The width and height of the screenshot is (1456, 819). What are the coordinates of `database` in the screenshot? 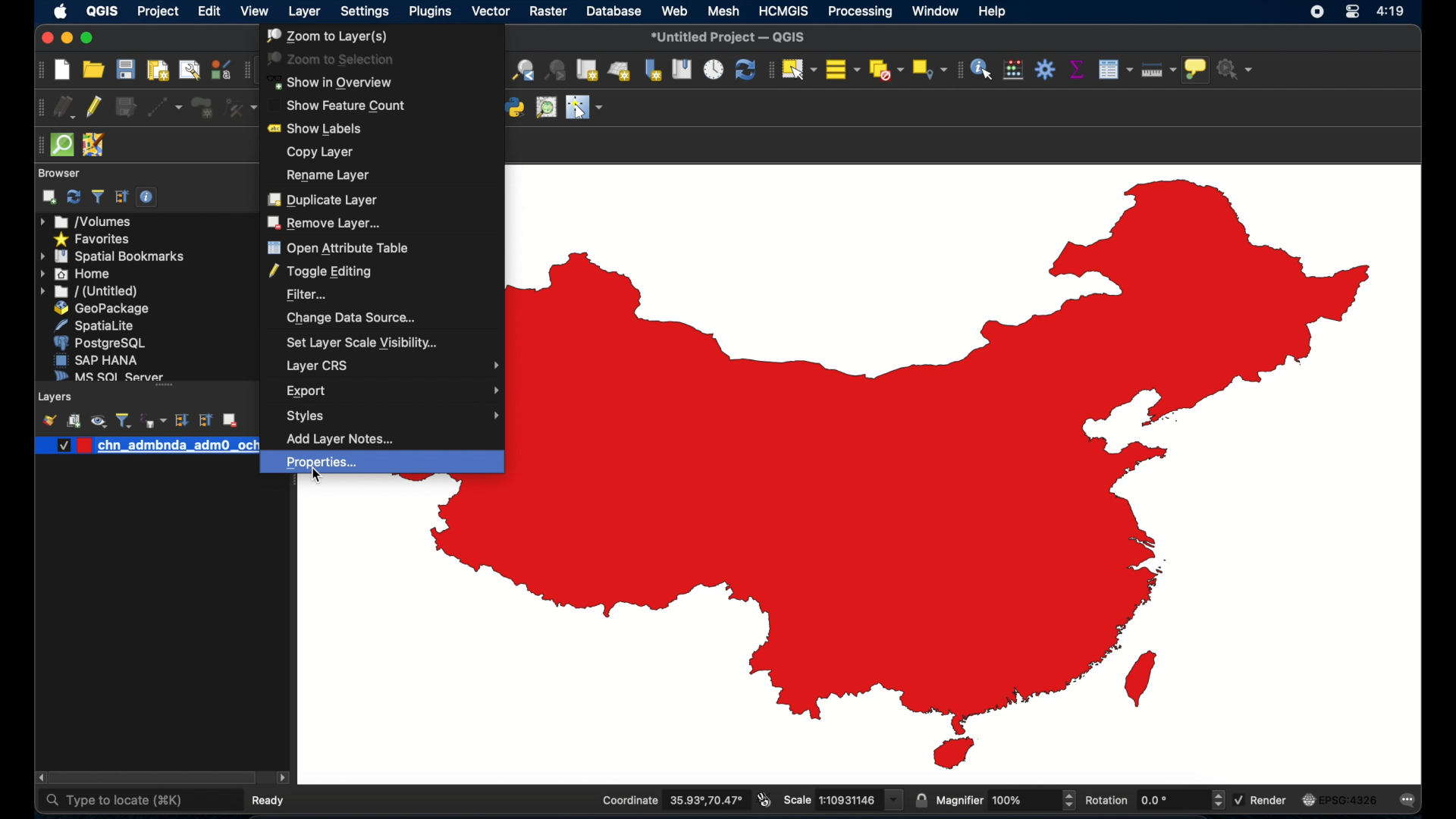 It's located at (616, 11).